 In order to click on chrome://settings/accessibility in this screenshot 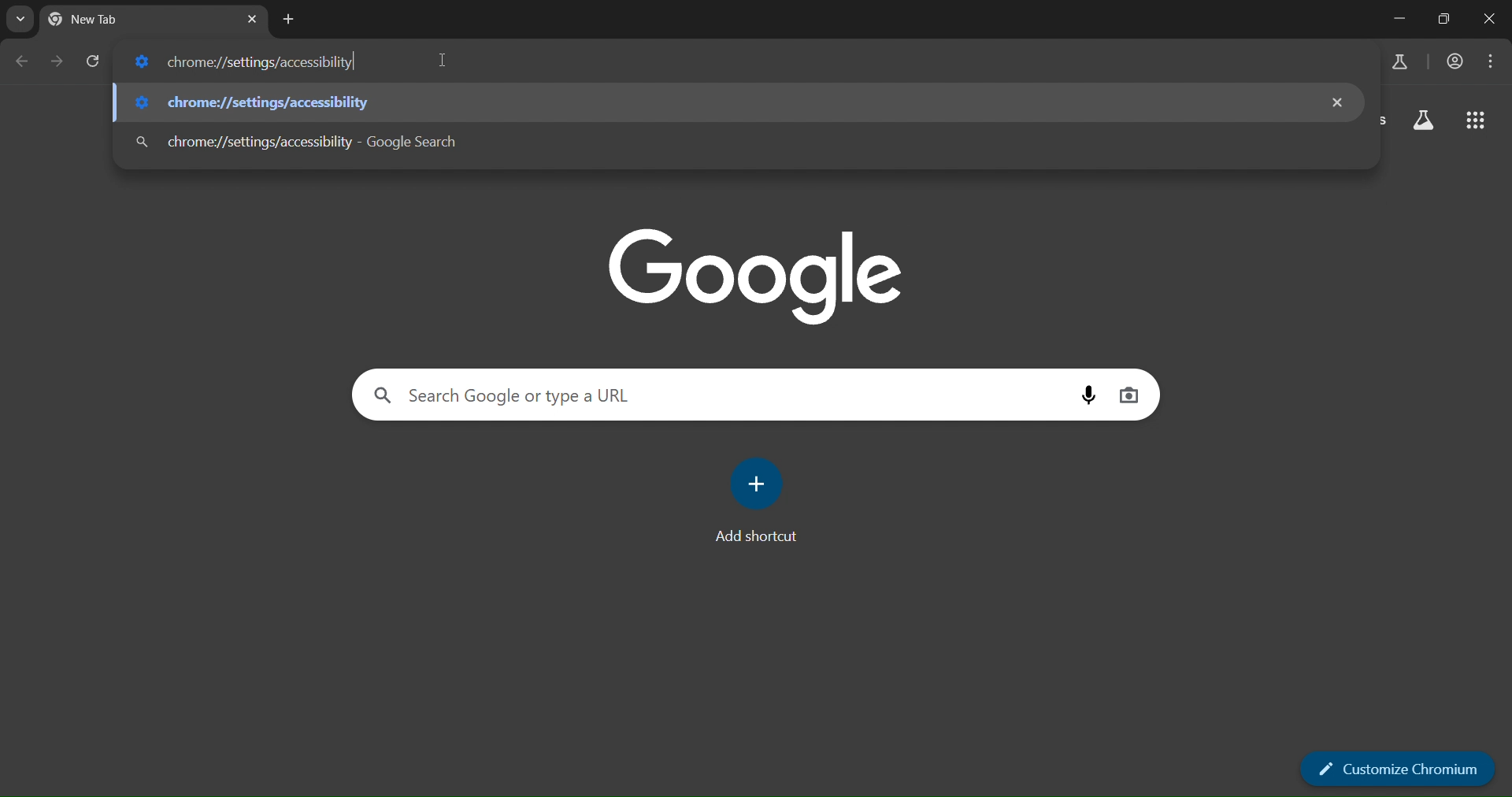, I will do `click(243, 63)`.